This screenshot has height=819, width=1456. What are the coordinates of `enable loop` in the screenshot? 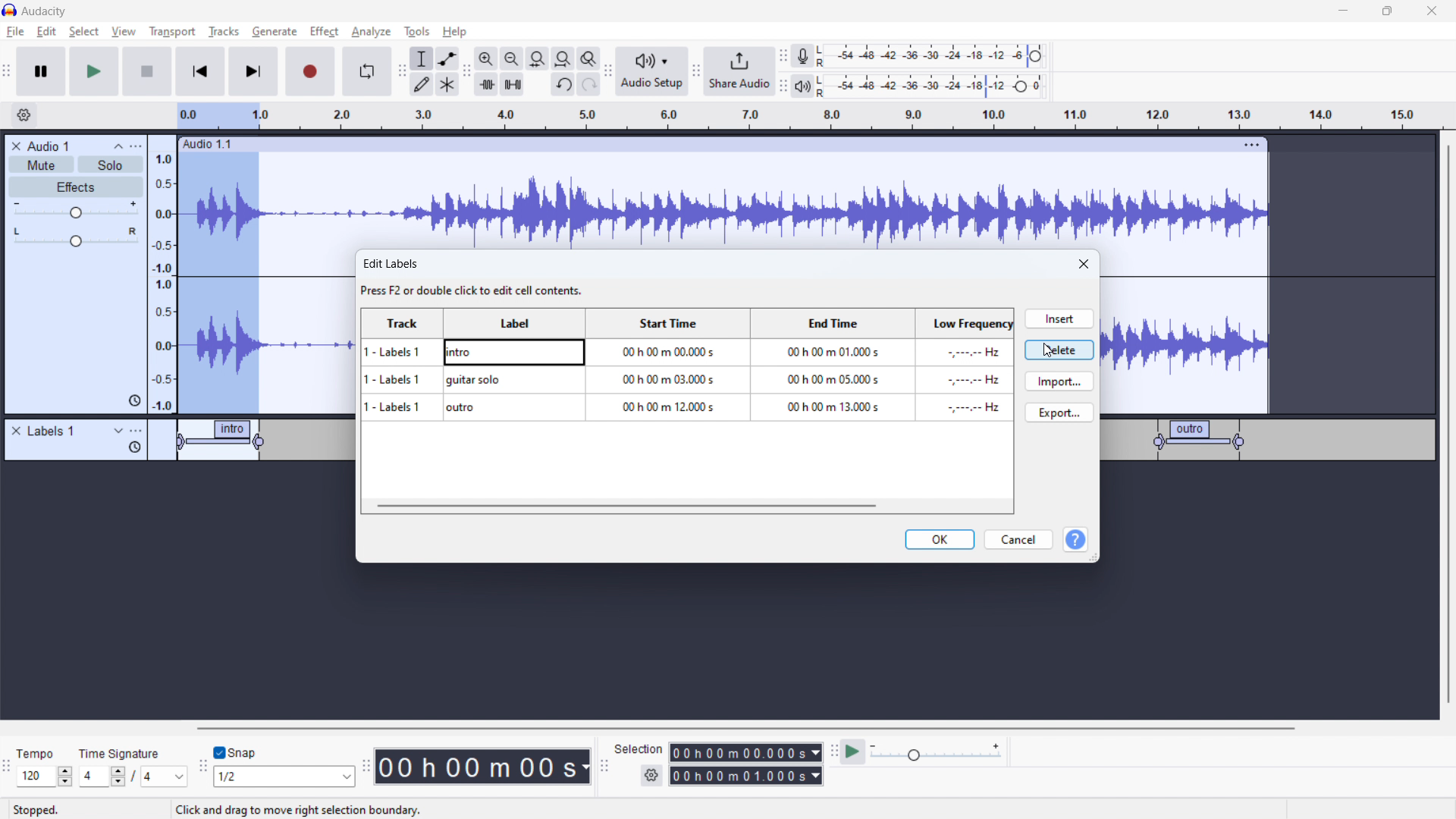 It's located at (366, 71).